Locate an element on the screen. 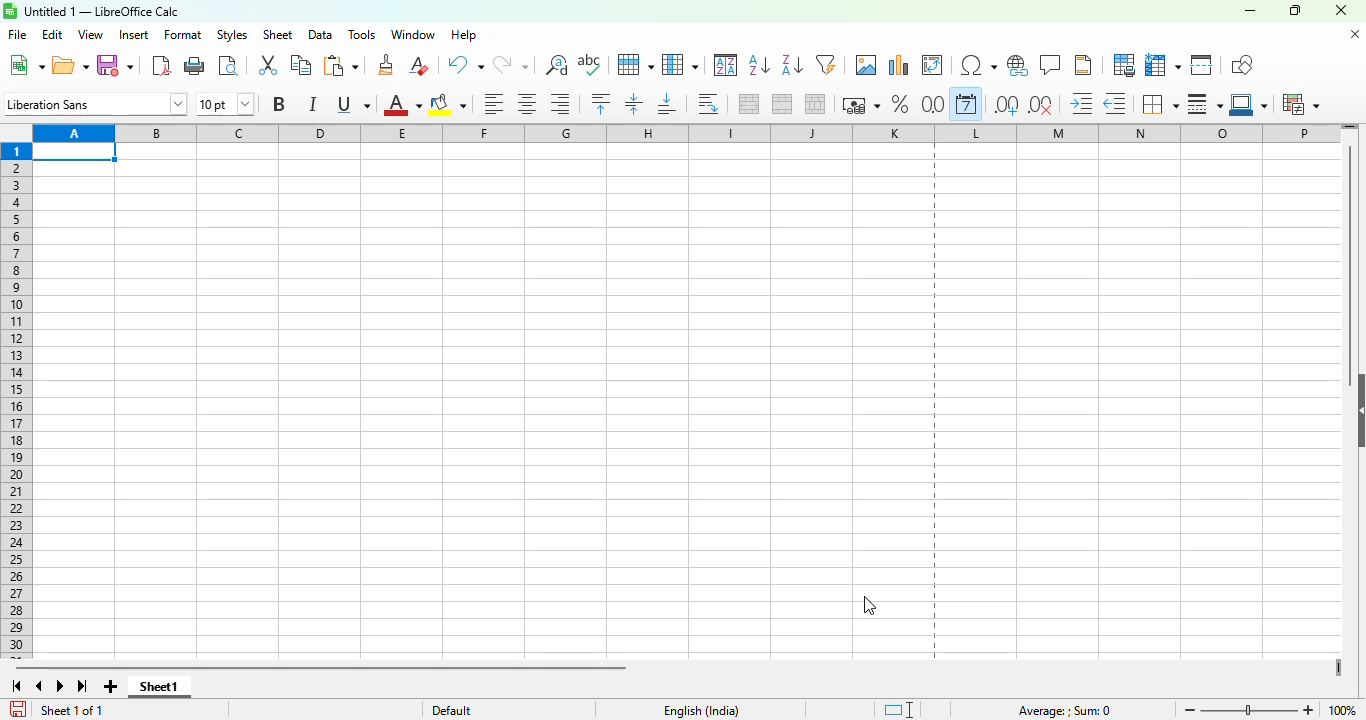  scroll to first sheet is located at coordinates (16, 687).